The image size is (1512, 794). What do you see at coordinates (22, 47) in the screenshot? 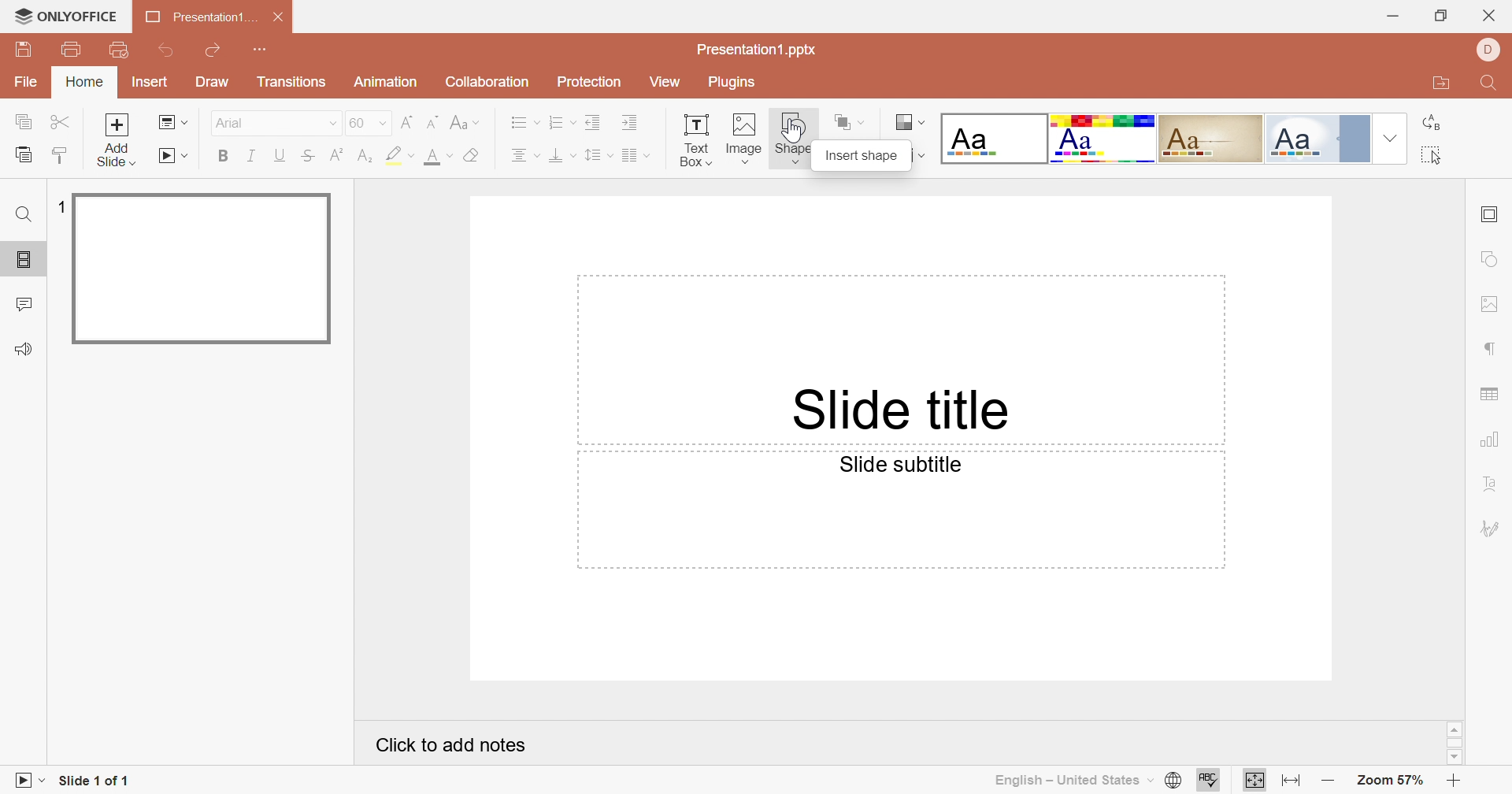
I see `Save` at bounding box center [22, 47].